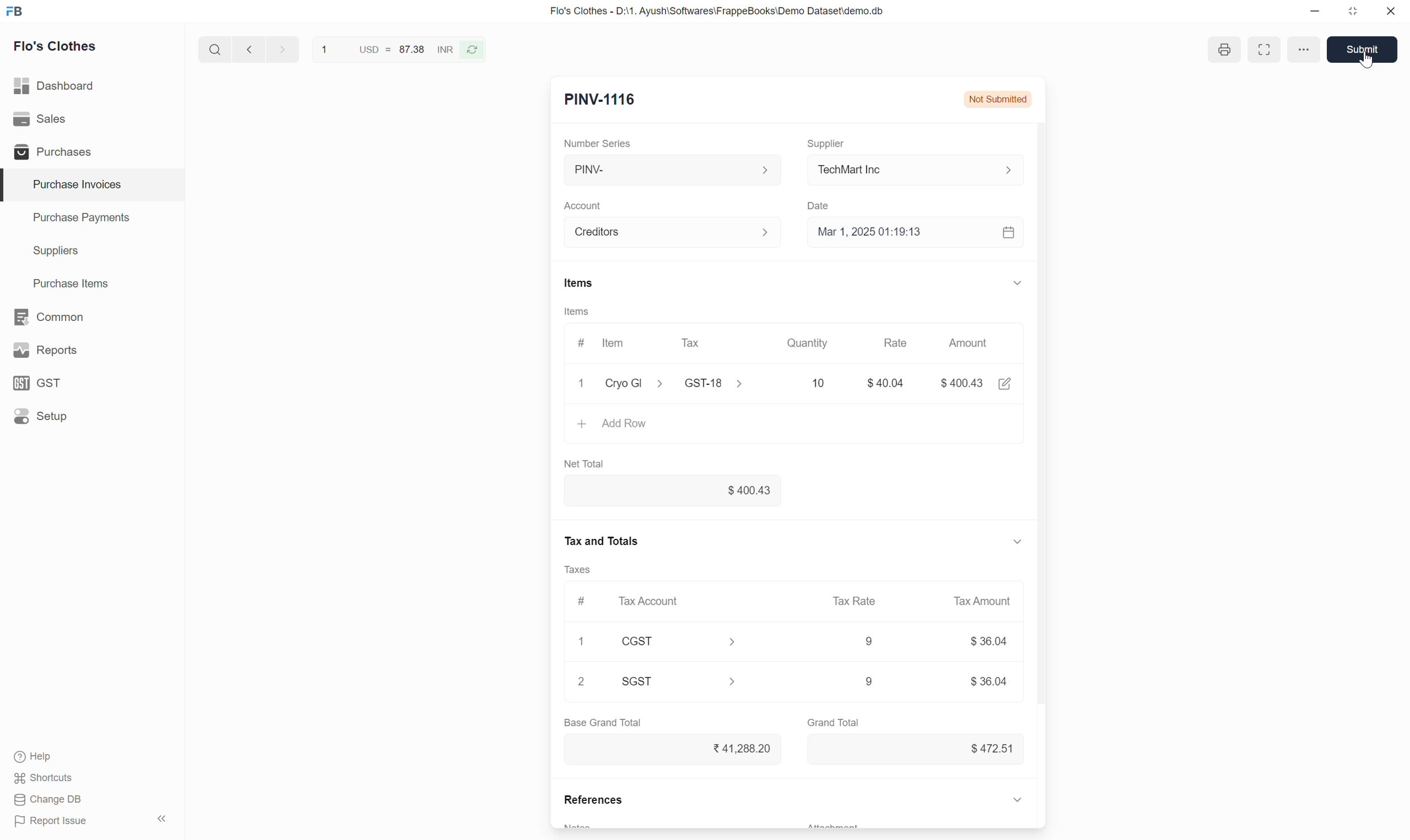 This screenshot has width=1410, height=840. What do you see at coordinates (712, 383) in the screenshot?
I see `GST-18` at bounding box center [712, 383].